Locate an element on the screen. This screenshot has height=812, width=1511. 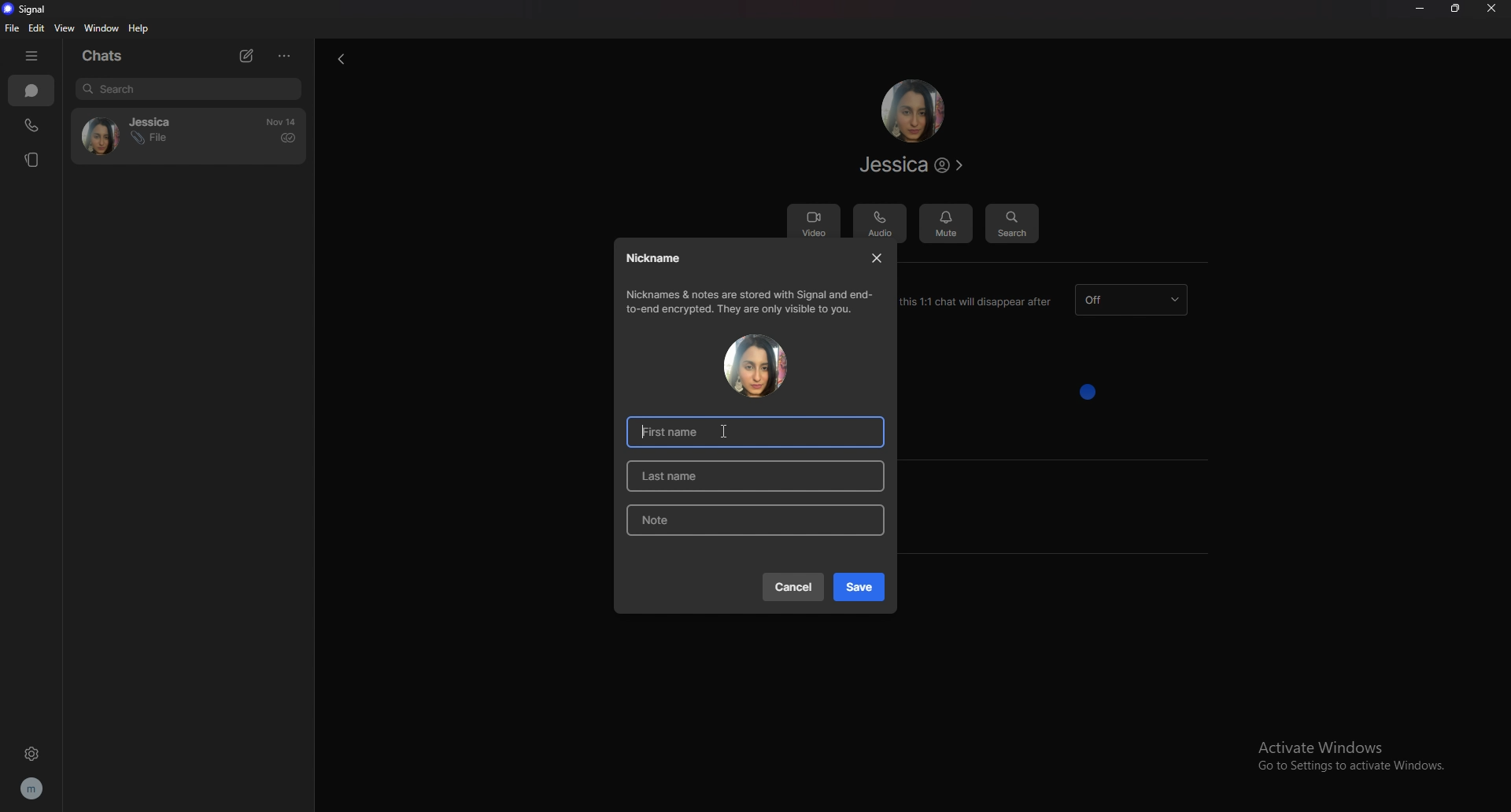
contact info is located at coordinates (911, 164).